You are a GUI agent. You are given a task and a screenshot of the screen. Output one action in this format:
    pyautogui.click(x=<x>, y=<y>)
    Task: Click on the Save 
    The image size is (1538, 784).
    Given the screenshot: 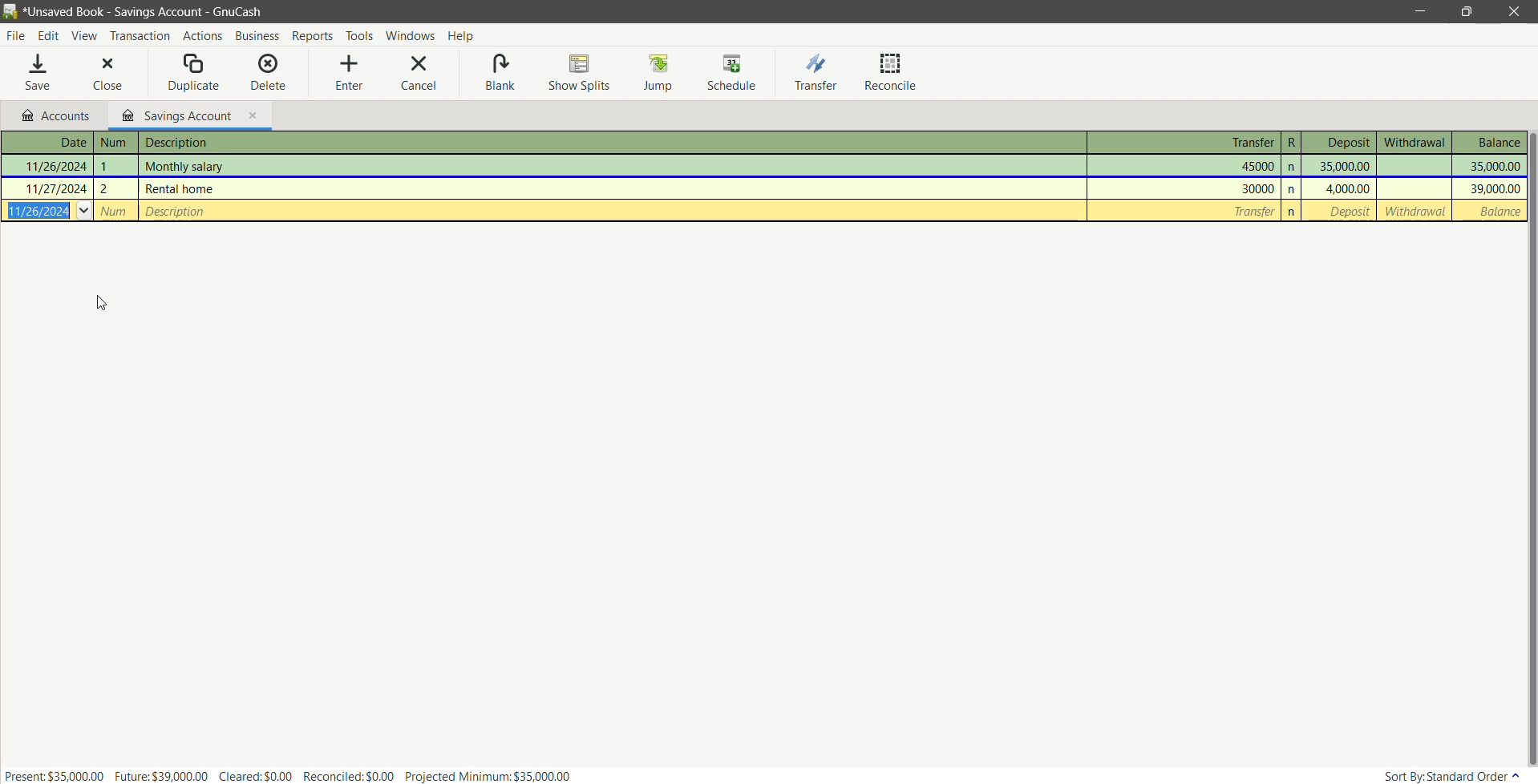 What is the action you would take?
    pyautogui.click(x=39, y=71)
    